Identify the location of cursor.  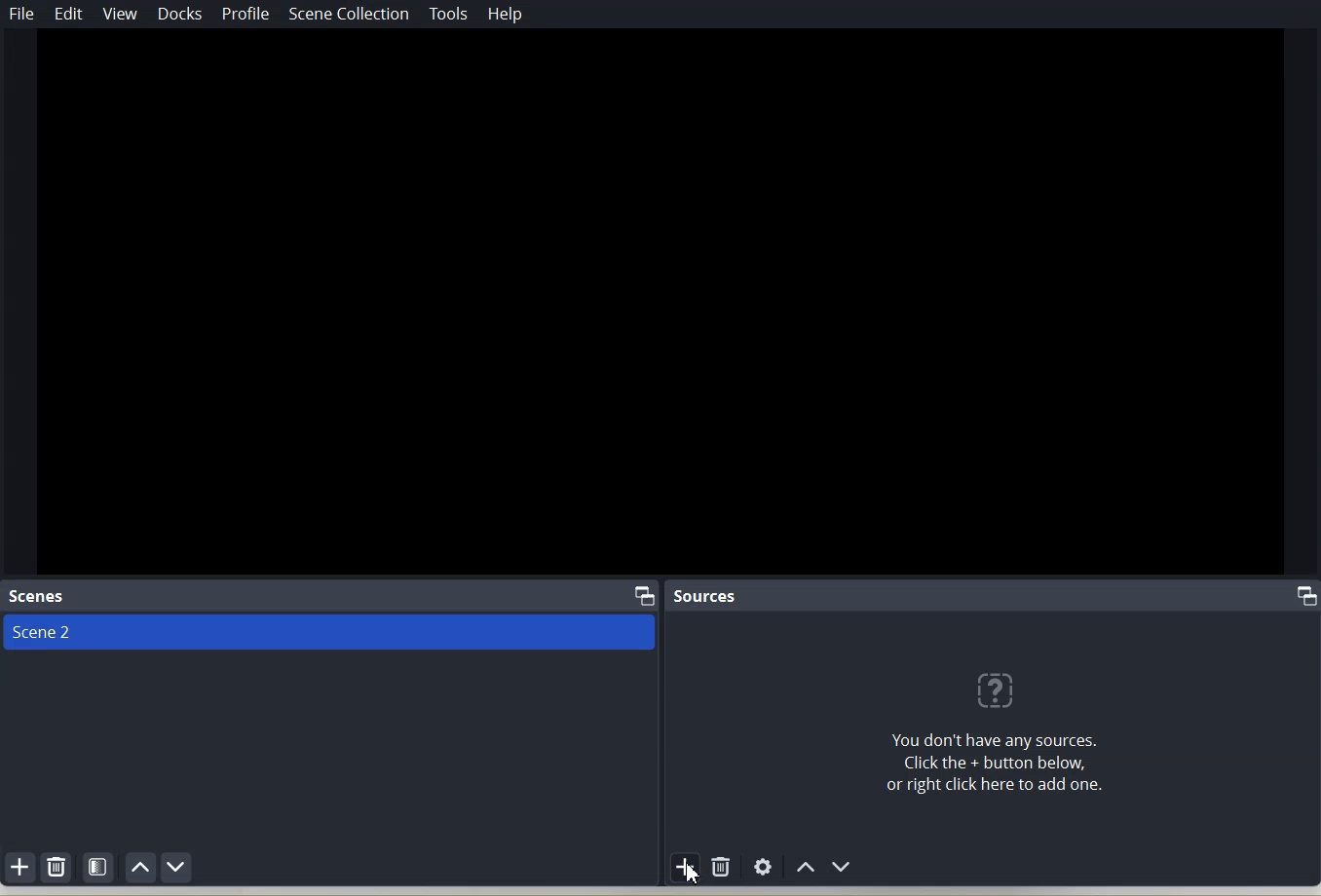
(694, 872).